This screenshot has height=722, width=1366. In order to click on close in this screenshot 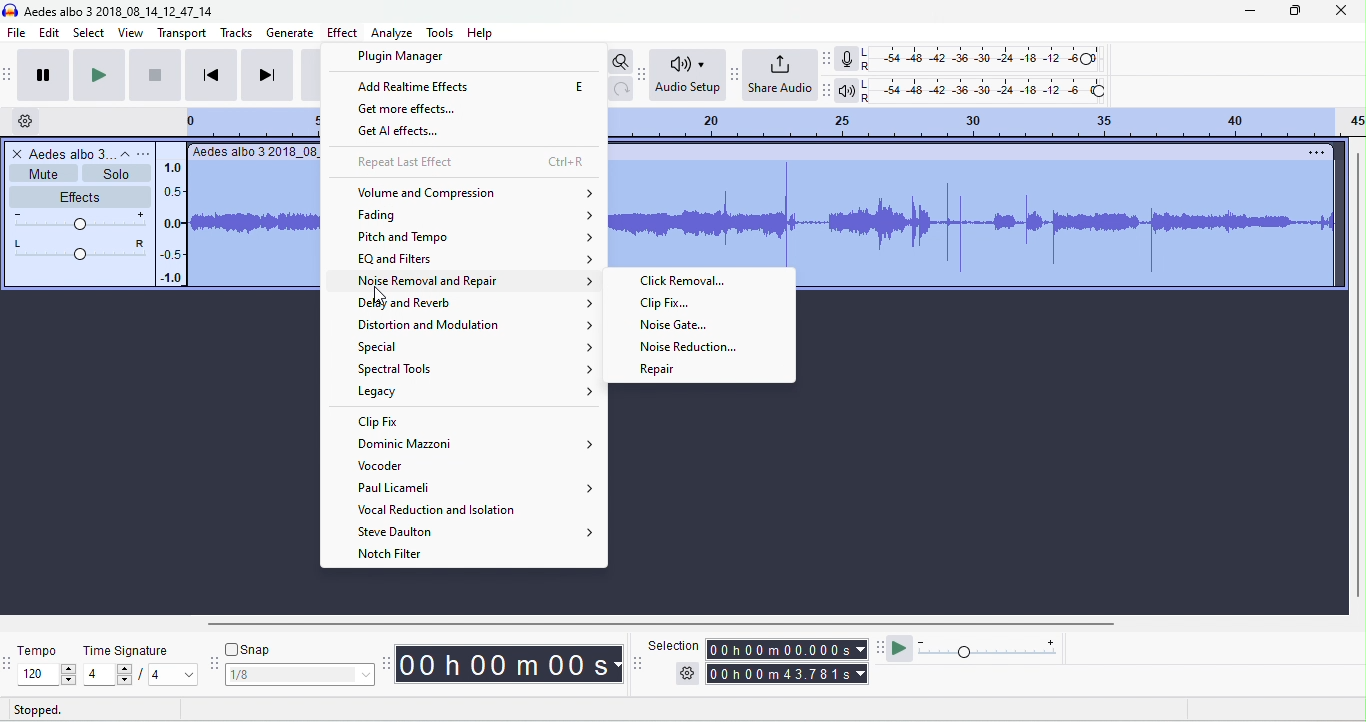, I will do `click(1342, 9)`.